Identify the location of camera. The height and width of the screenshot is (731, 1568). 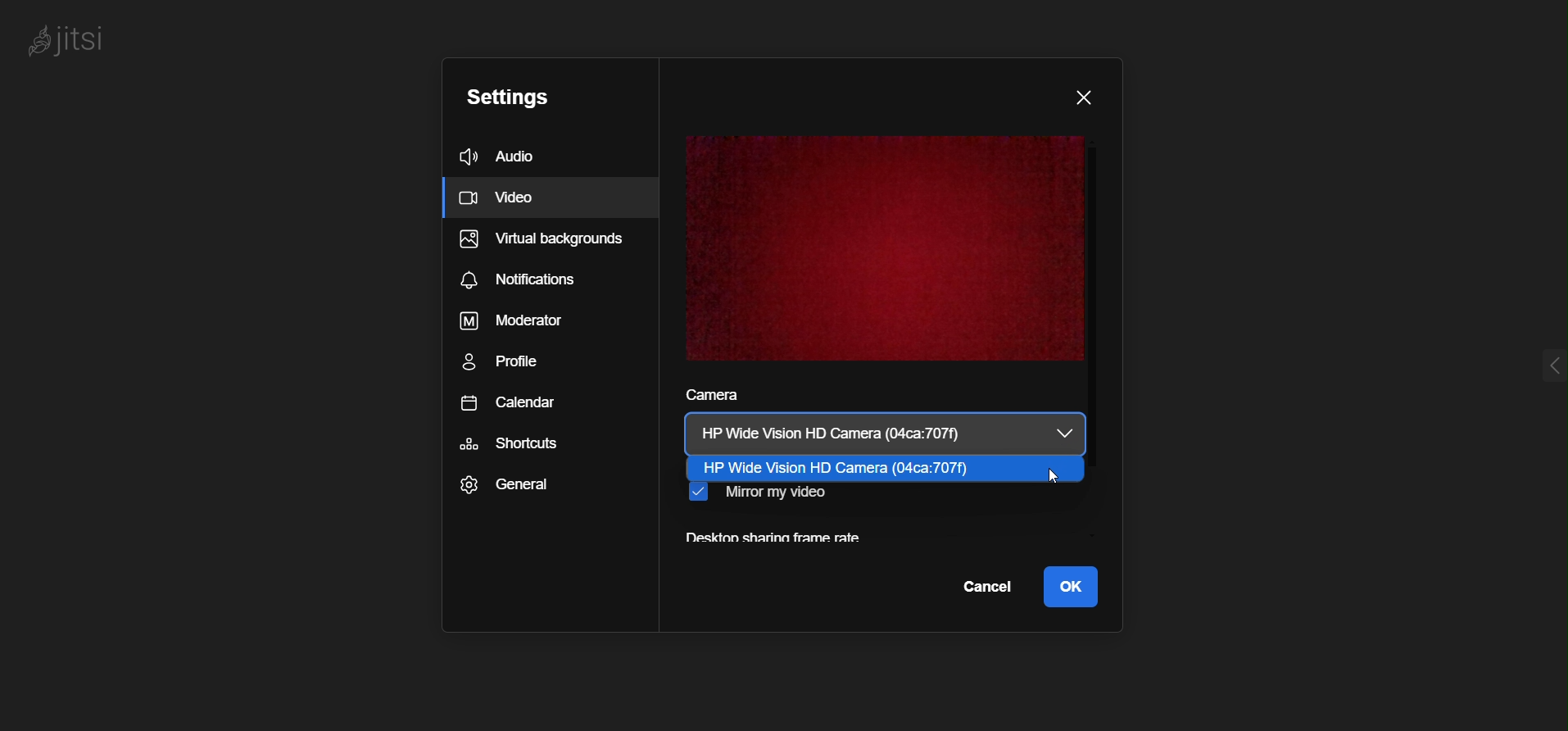
(709, 397).